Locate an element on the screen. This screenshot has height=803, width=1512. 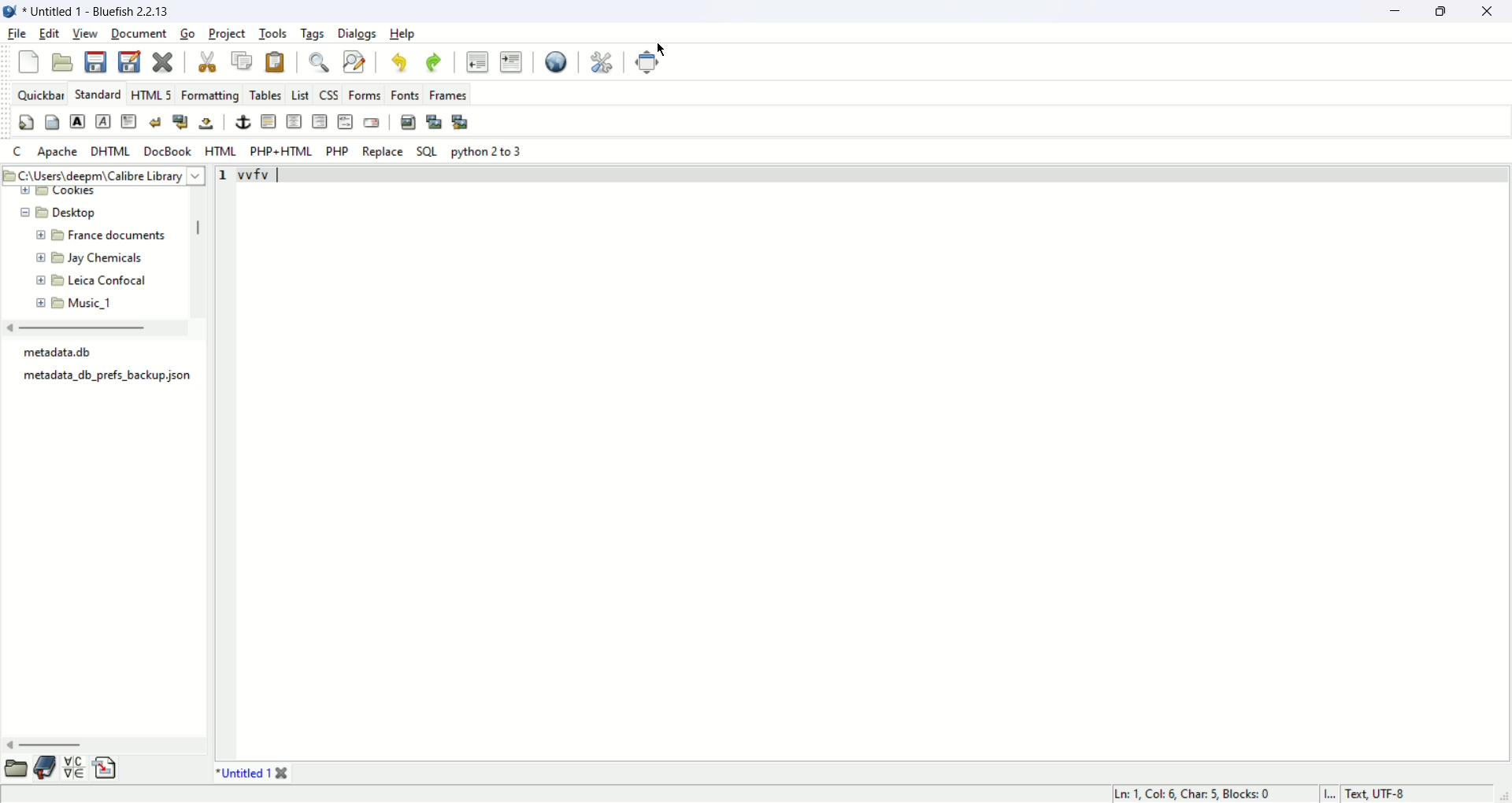
browse file is located at coordinates (17, 768).